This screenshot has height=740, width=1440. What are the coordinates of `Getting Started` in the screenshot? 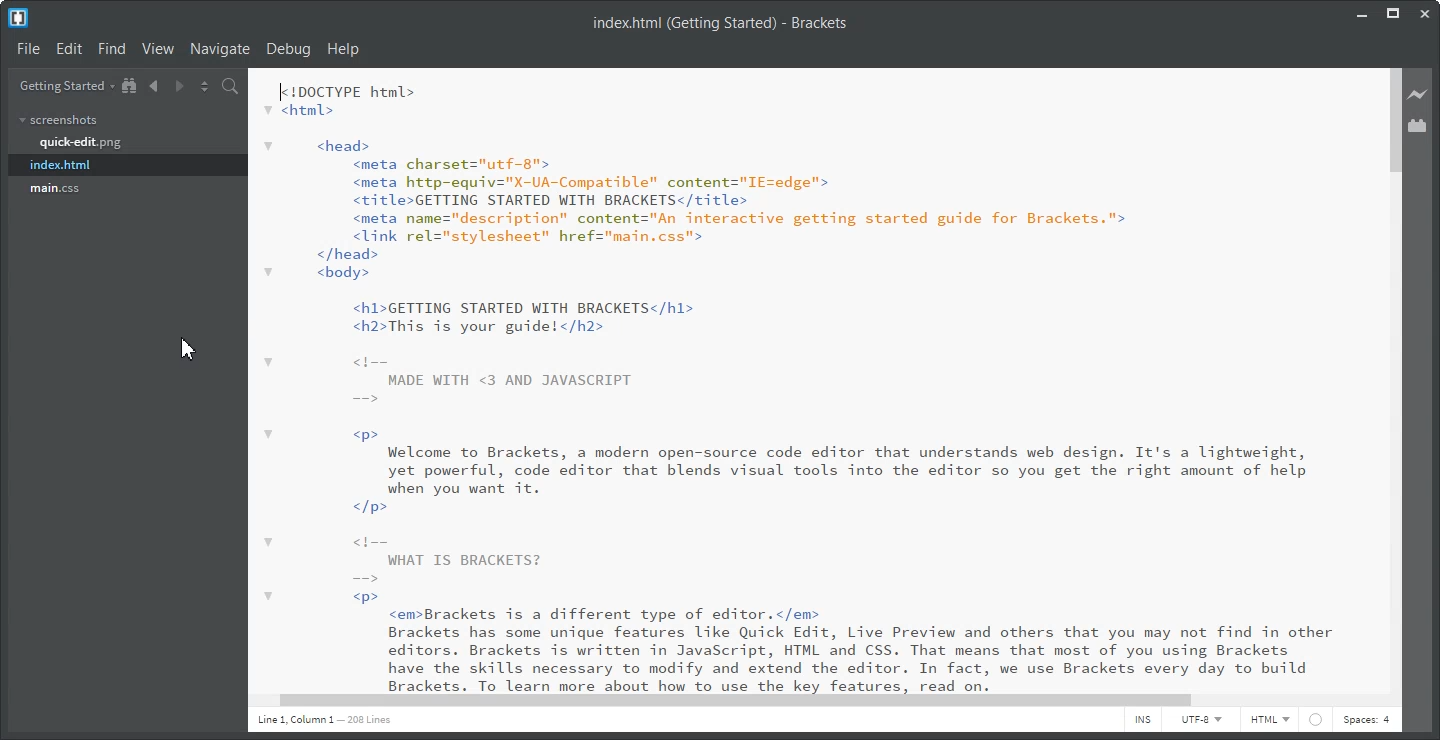 It's located at (62, 85).